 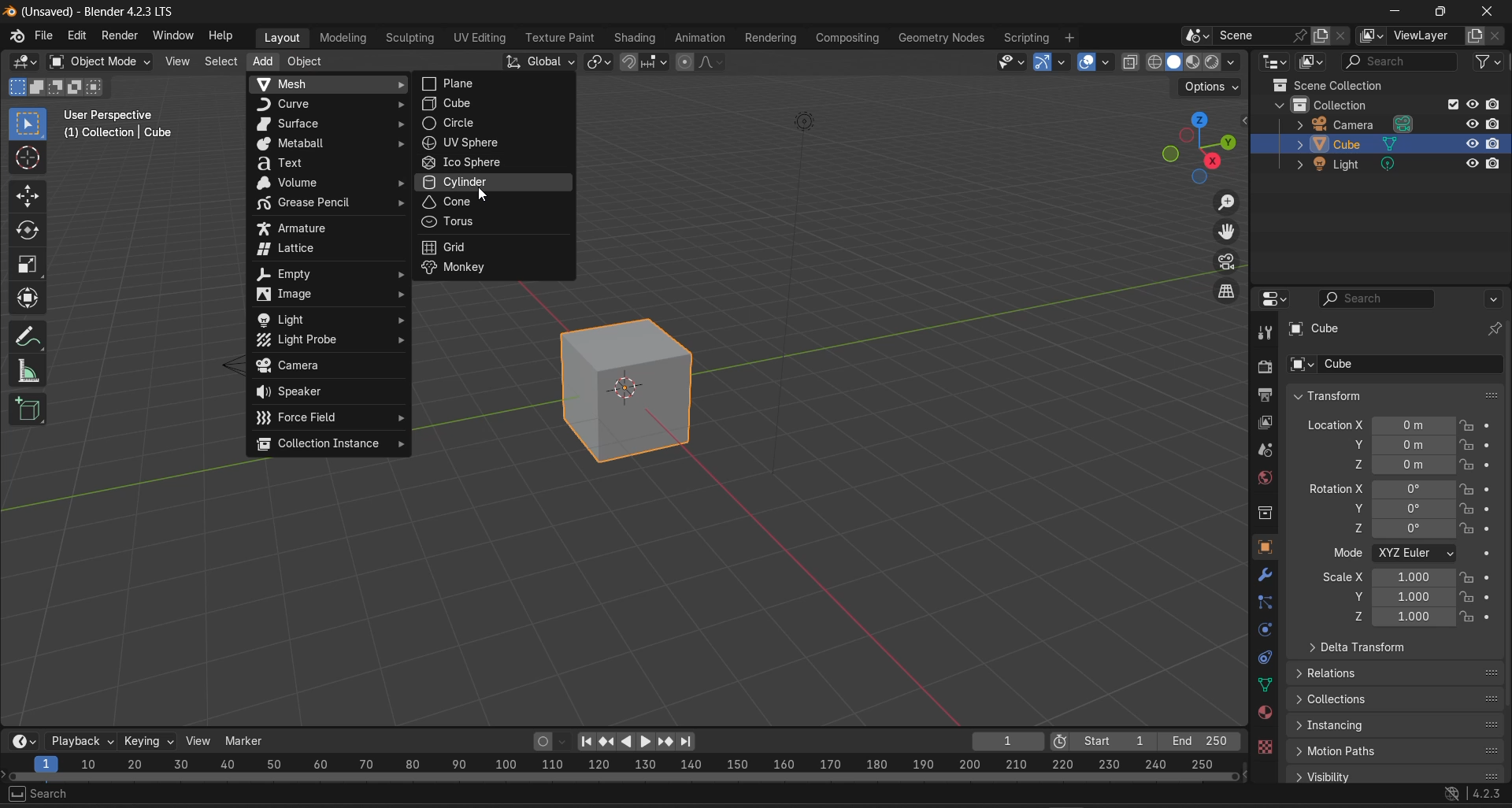 I want to click on proportional editing objects, so click(x=686, y=63).